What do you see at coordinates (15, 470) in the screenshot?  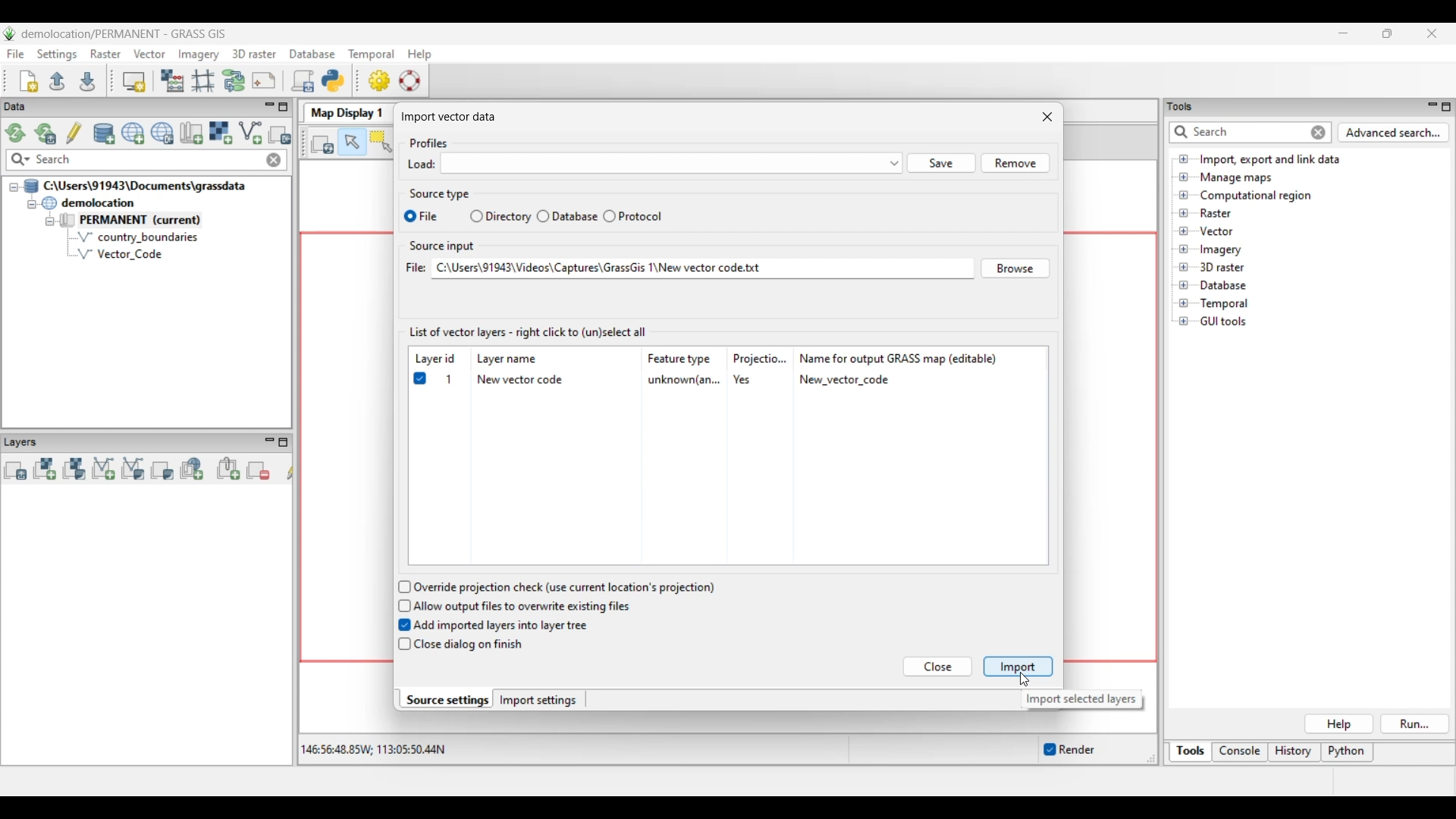 I see `Add multiple vector or raster map layers` at bounding box center [15, 470].